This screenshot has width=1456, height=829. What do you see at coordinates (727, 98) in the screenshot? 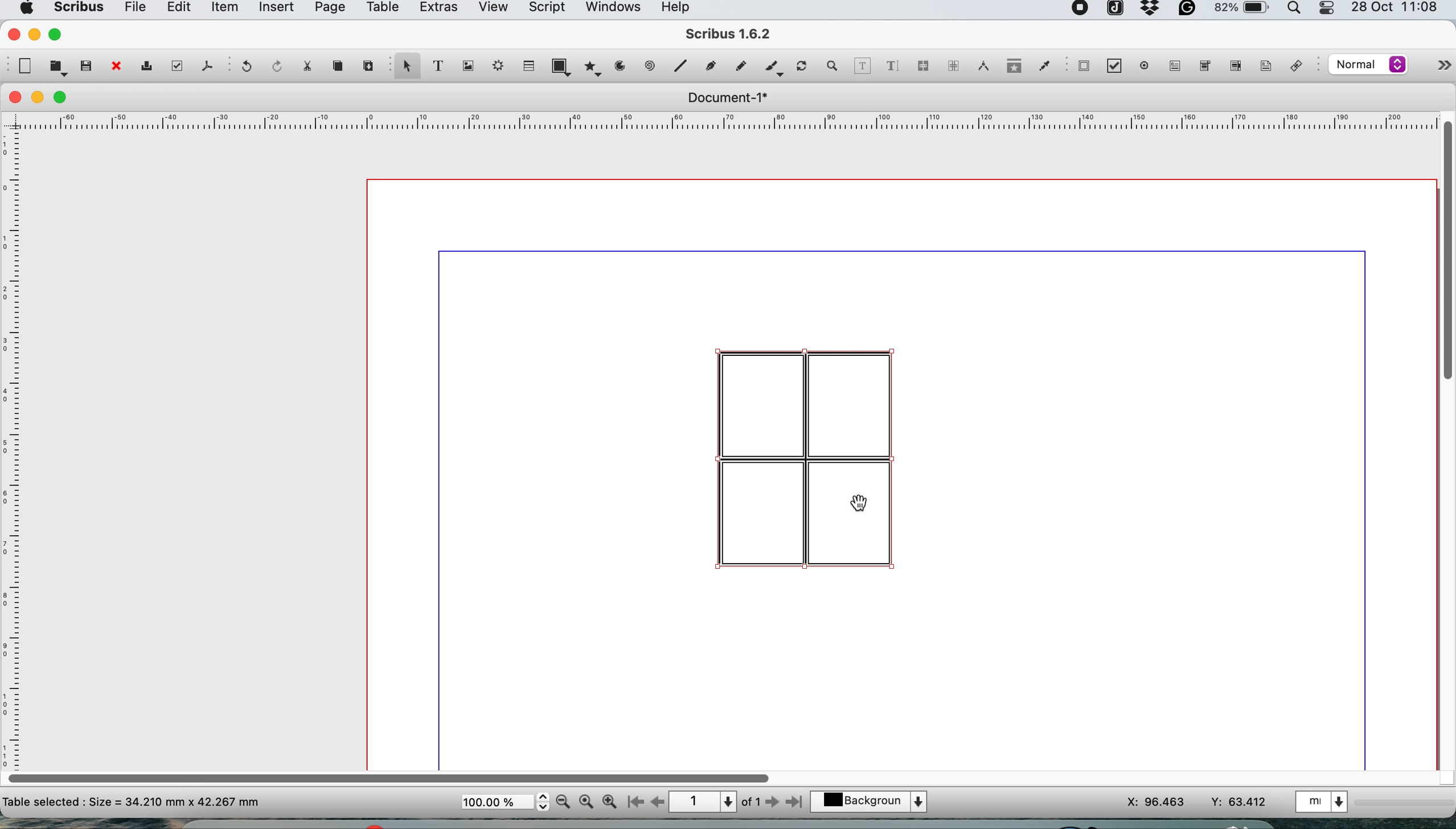
I see `document 1` at bounding box center [727, 98].